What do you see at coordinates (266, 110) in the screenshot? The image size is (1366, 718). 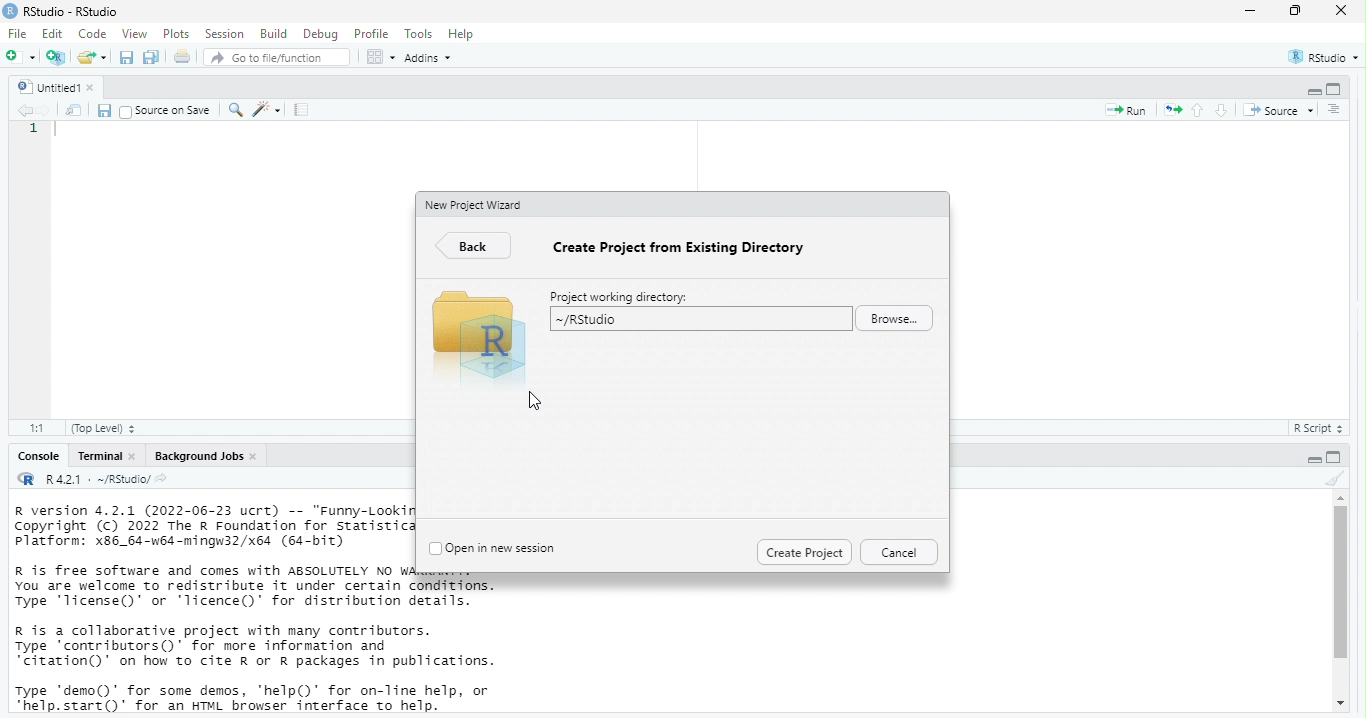 I see `code tools` at bounding box center [266, 110].